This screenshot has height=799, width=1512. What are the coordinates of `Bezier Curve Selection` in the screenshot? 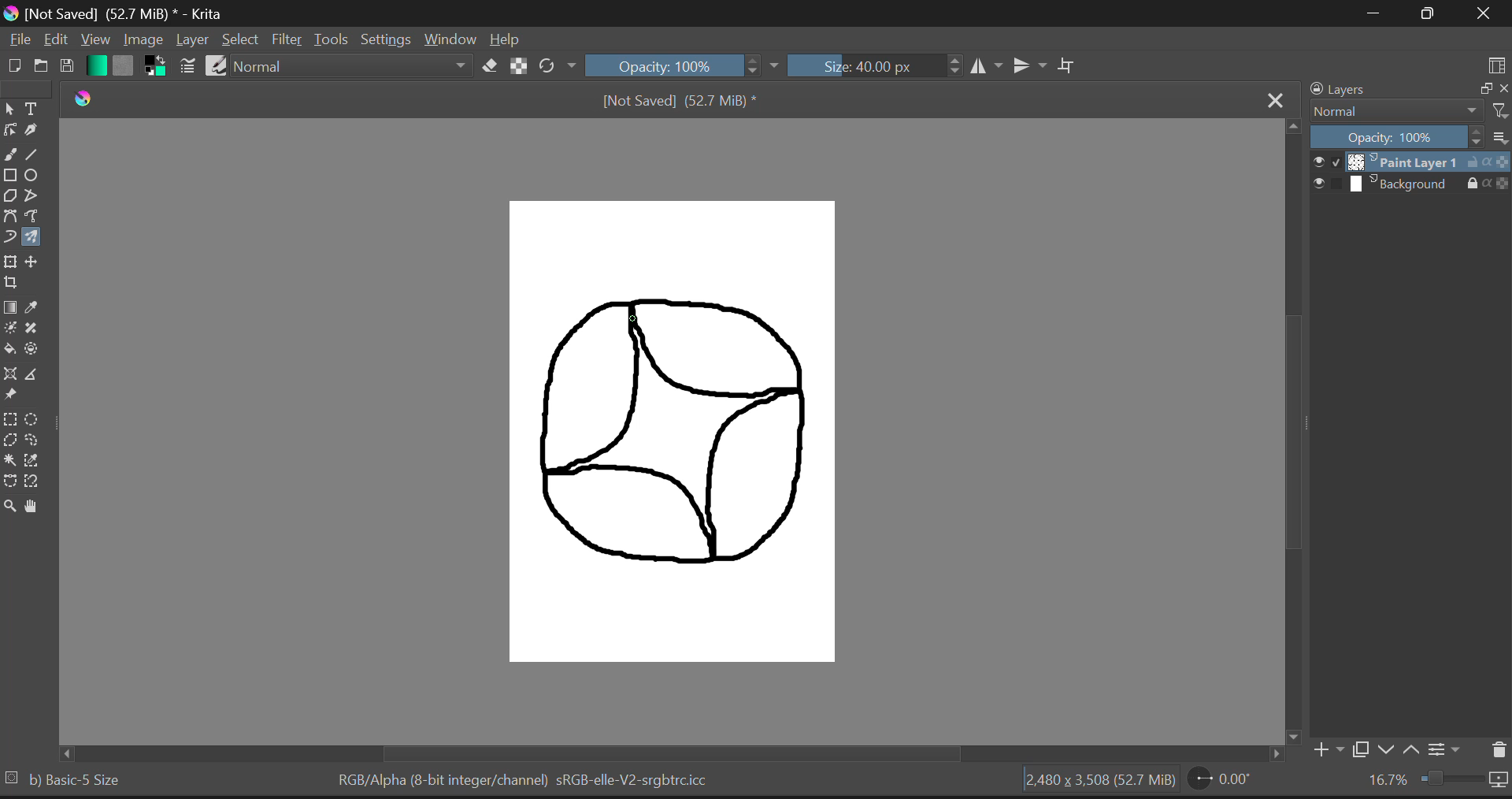 It's located at (9, 482).